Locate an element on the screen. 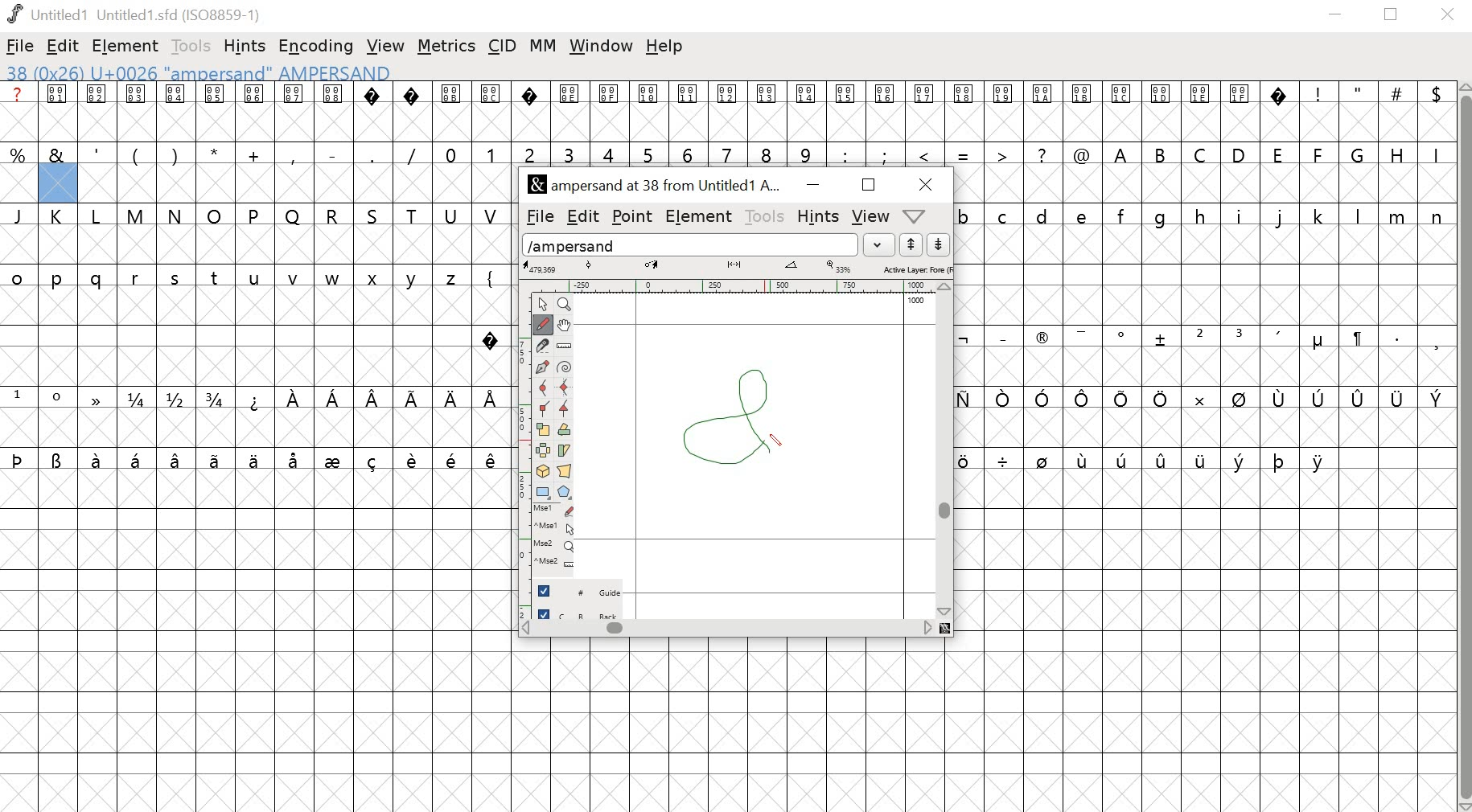 This screenshot has height=812, width=1472. cursor coordinate is located at coordinates (543, 267).